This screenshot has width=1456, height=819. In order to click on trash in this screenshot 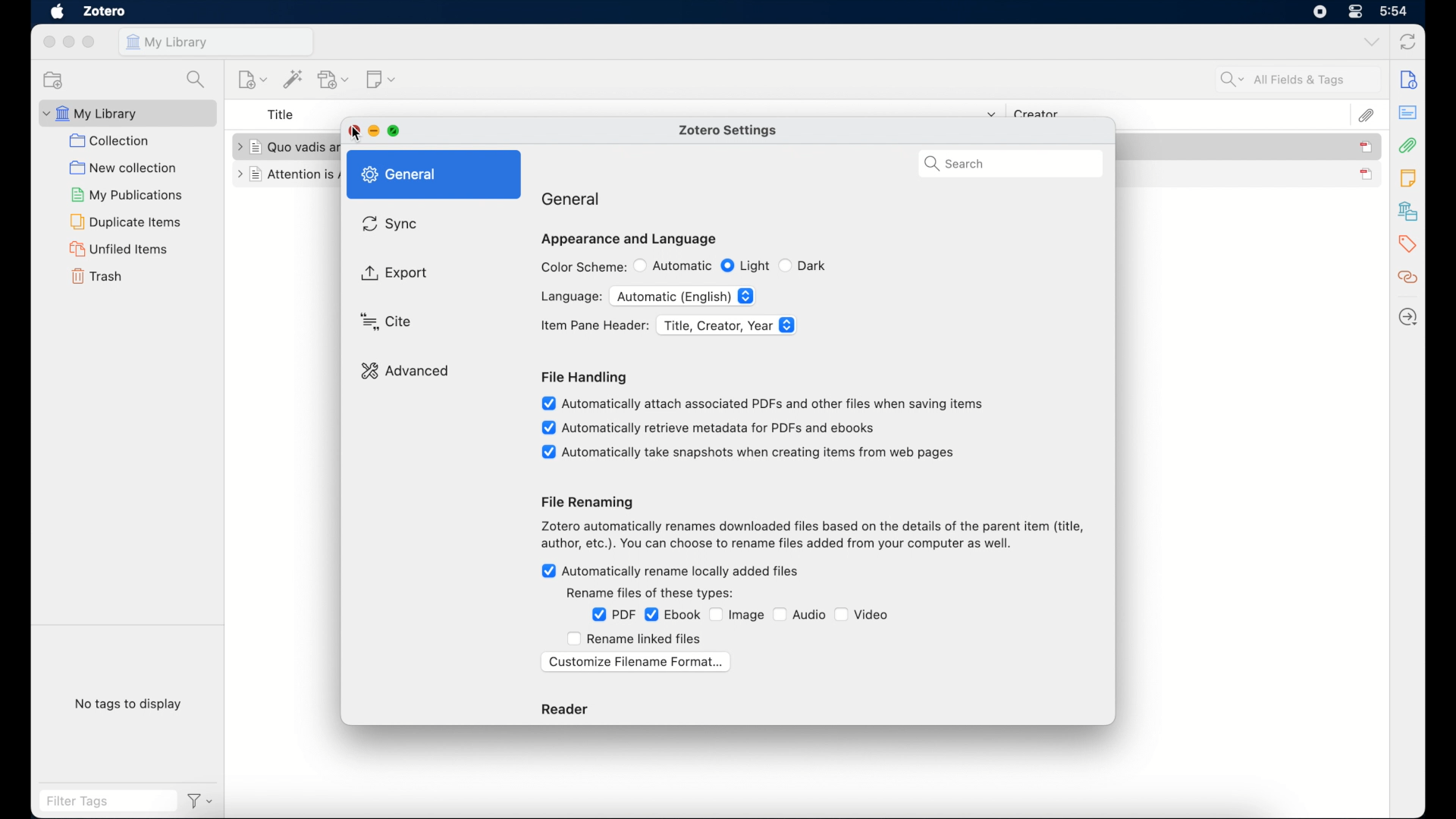, I will do `click(97, 276)`.